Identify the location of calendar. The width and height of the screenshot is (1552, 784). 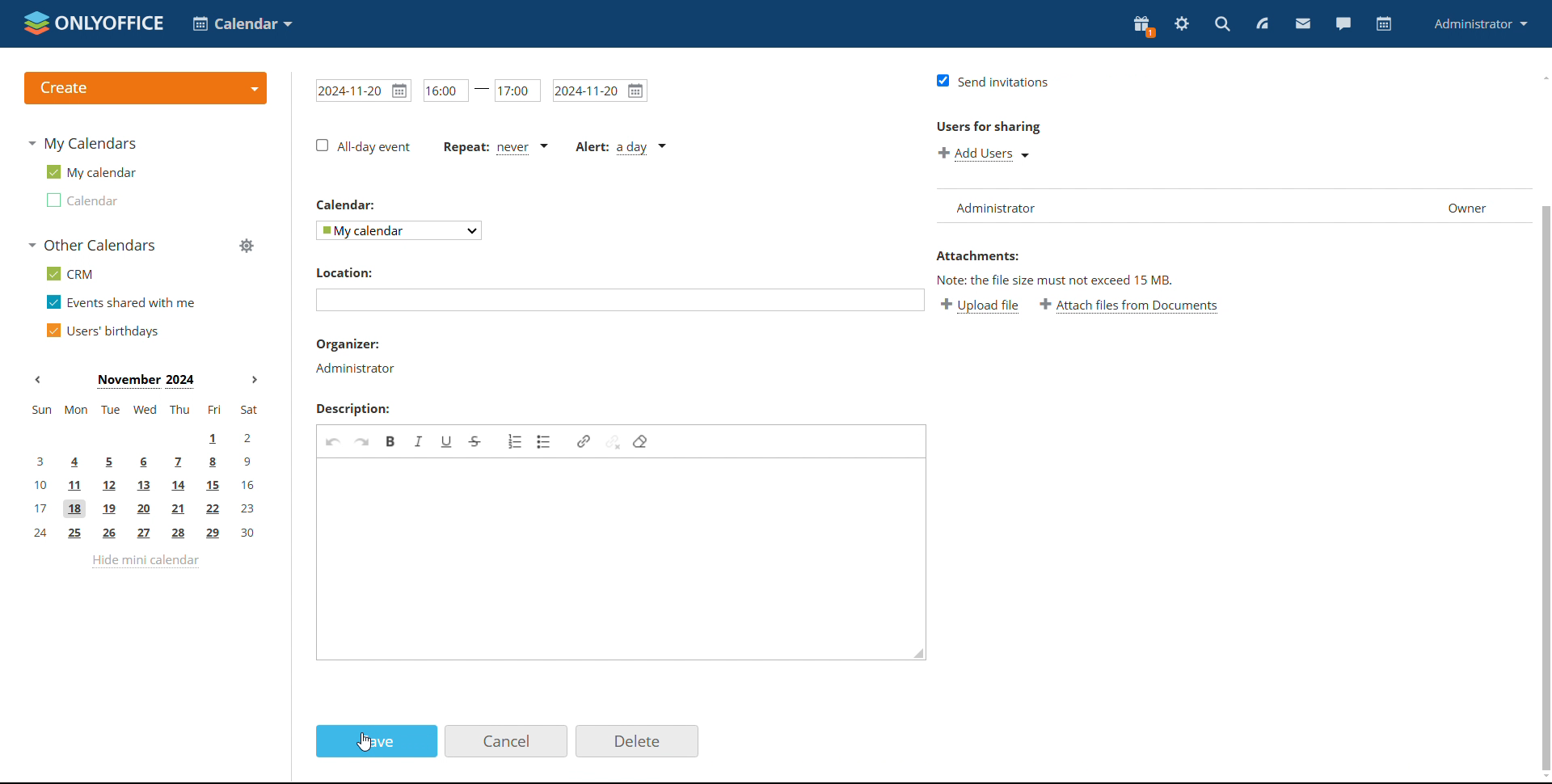
(1384, 24).